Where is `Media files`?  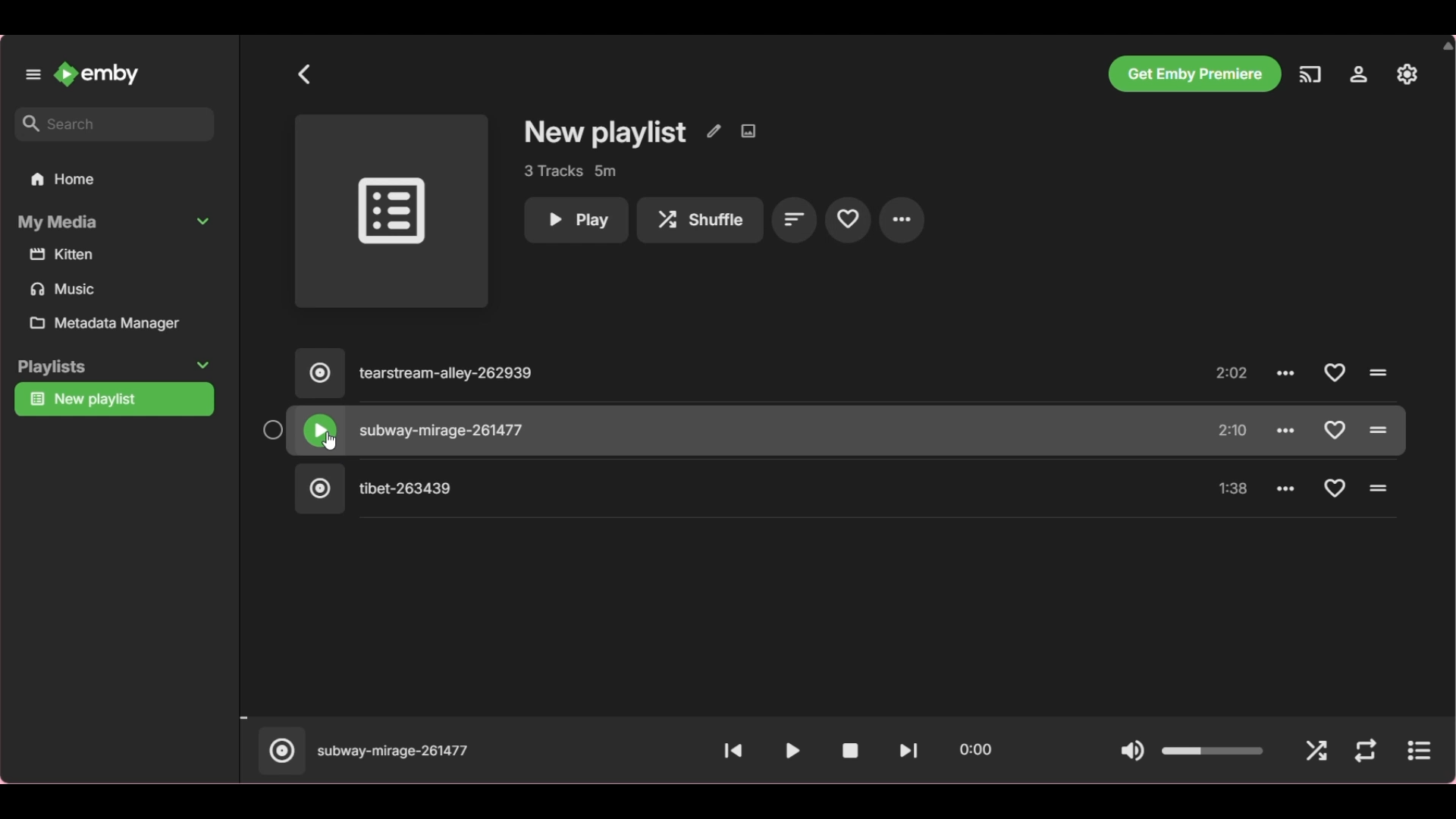
Media files is located at coordinates (118, 273).